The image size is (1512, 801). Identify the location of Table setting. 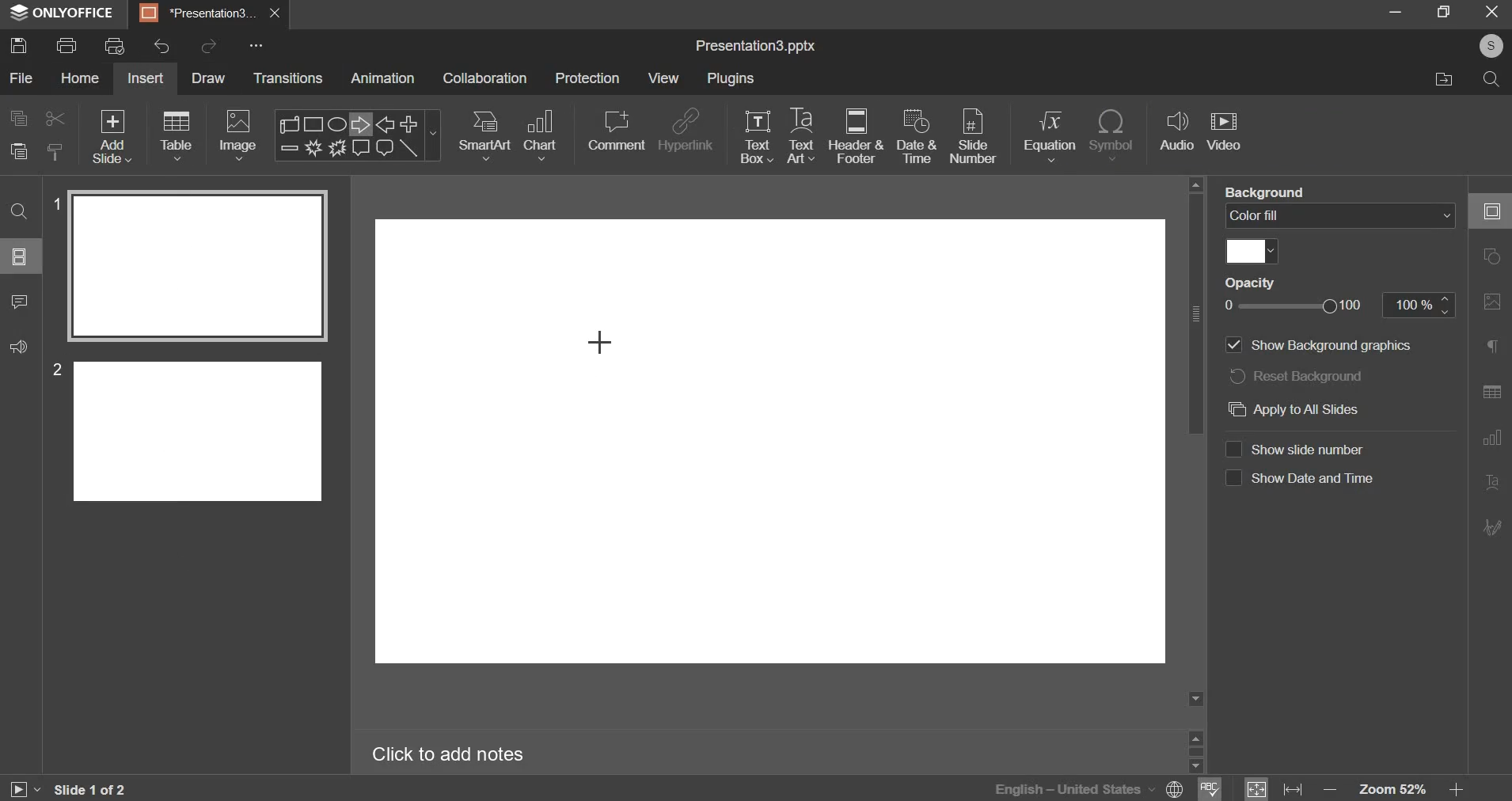
(1492, 394).